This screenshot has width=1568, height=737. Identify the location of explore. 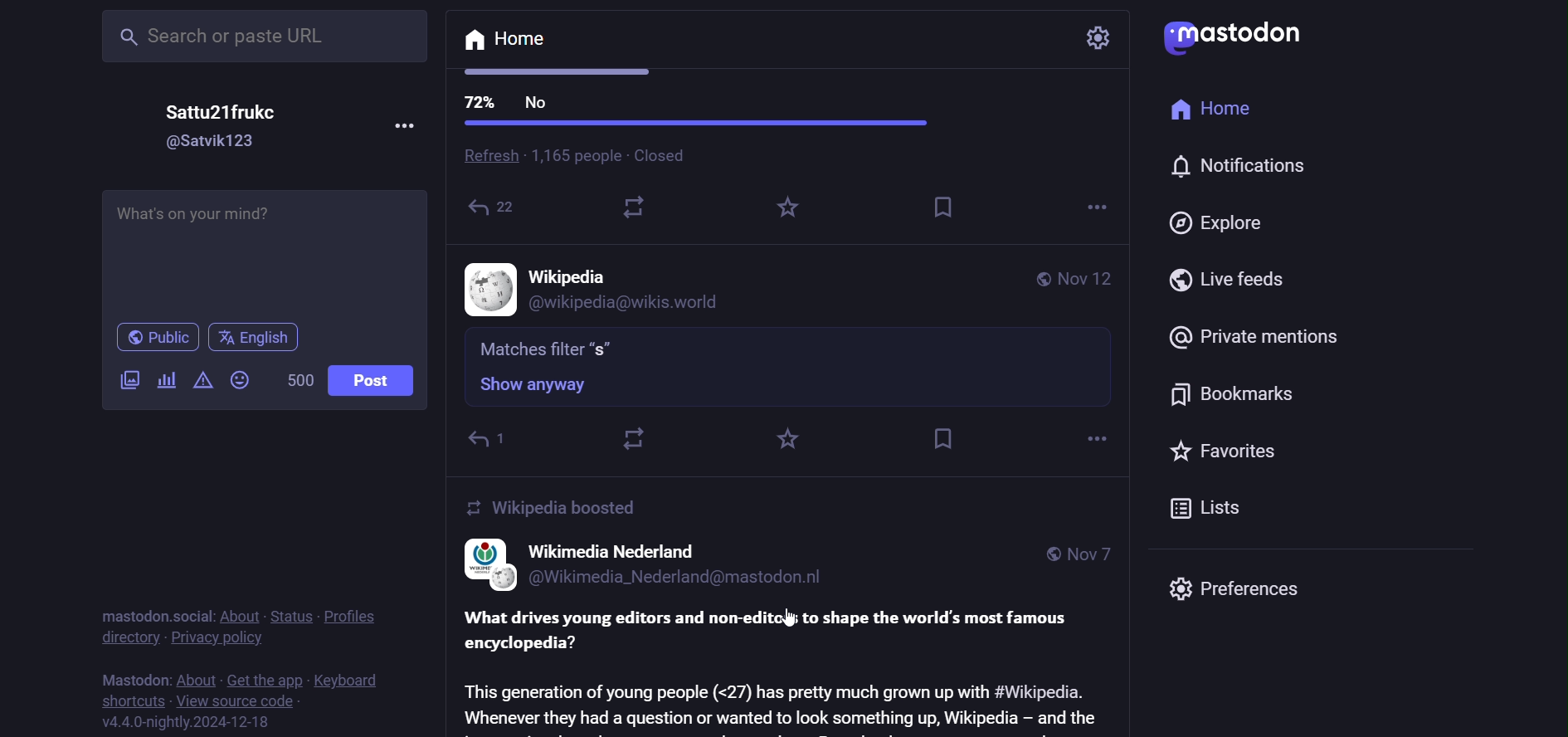
(1226, 222).